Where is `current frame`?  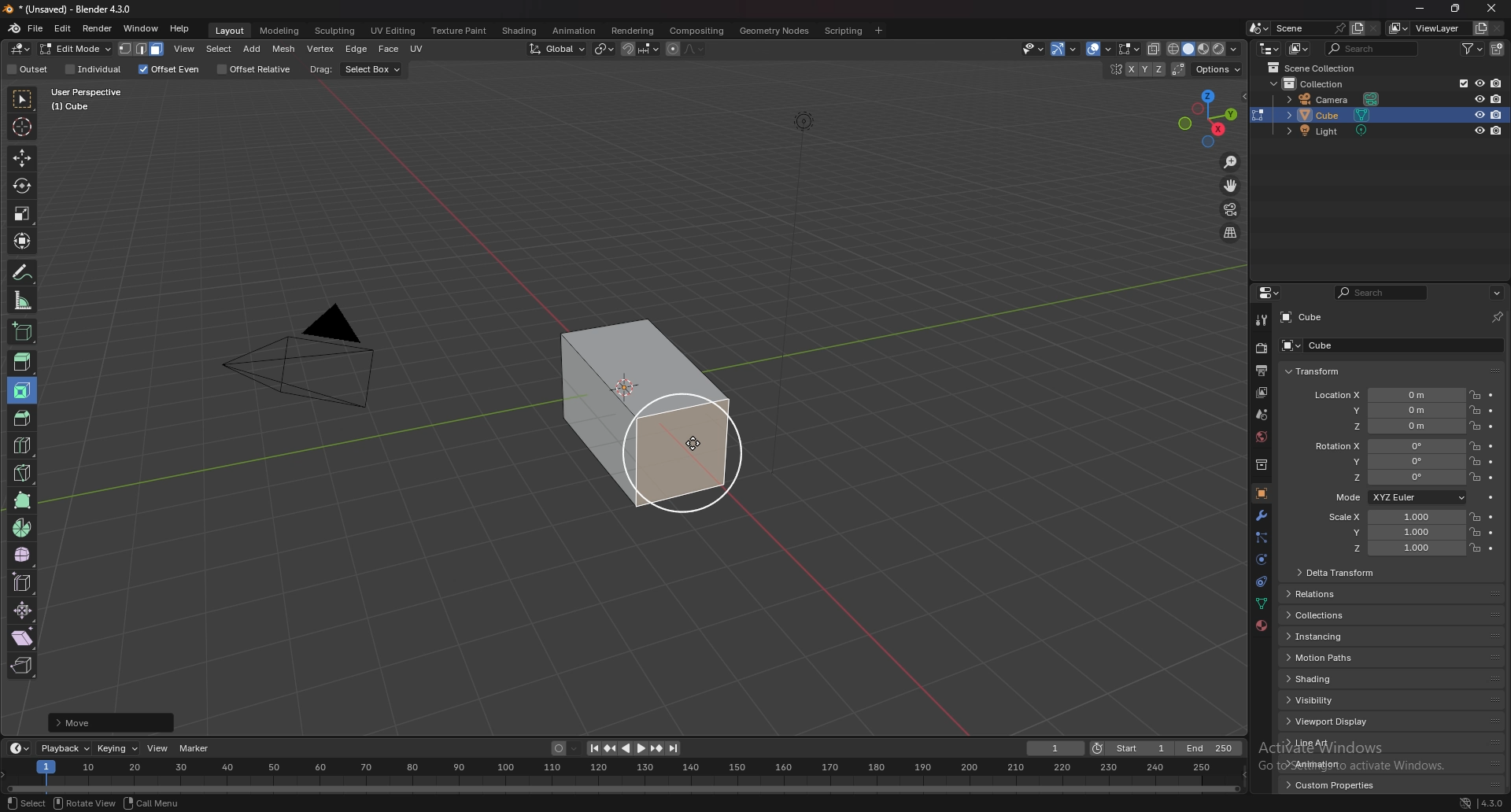 current frame is located at coordinates (1056, 748).